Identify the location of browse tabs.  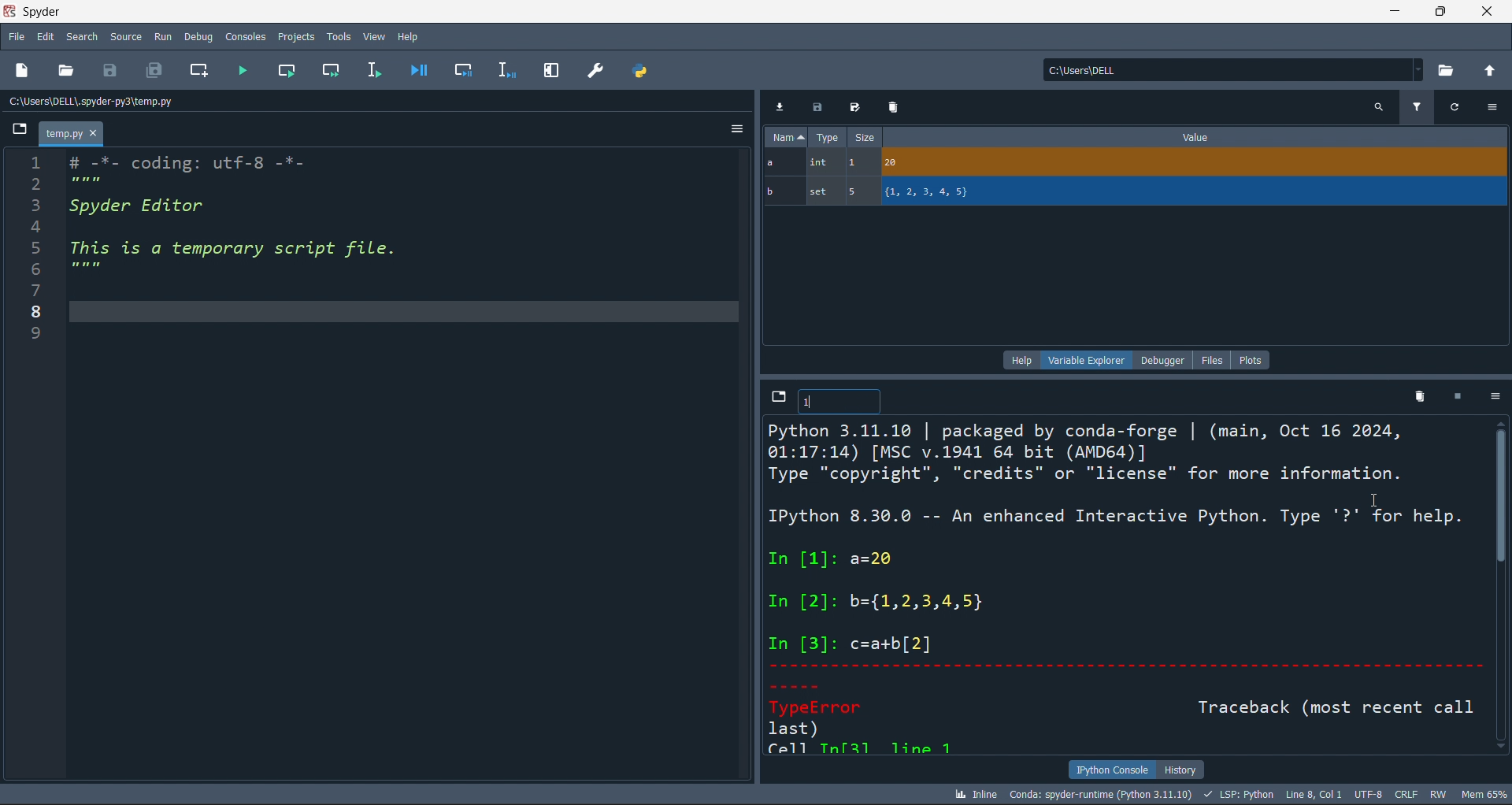
(776, 397).